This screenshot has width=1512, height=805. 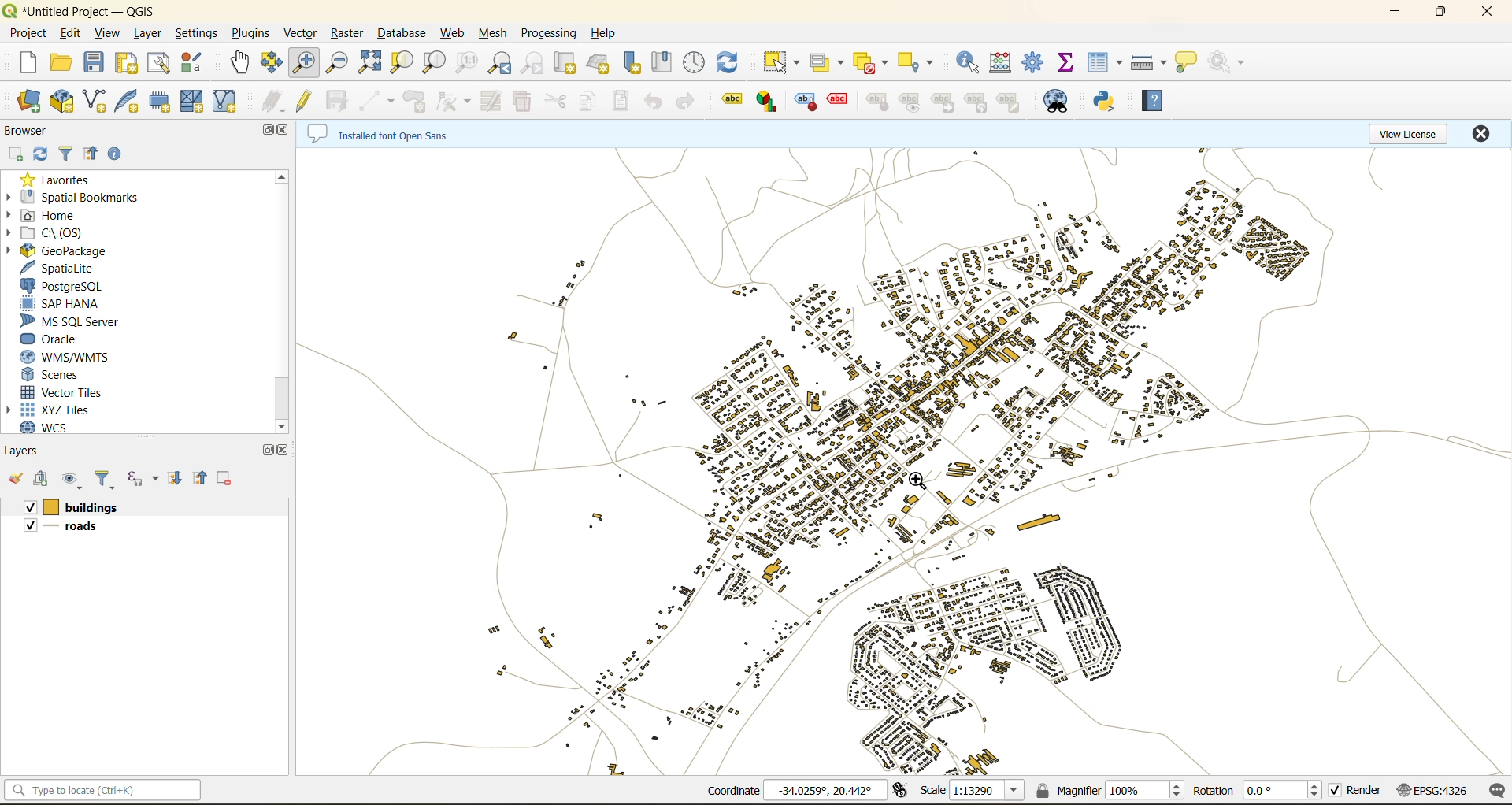 What do you see at coordinates (306, 100) in the screenshot?
I see `toggle edits` at bounding box center [306, 100].